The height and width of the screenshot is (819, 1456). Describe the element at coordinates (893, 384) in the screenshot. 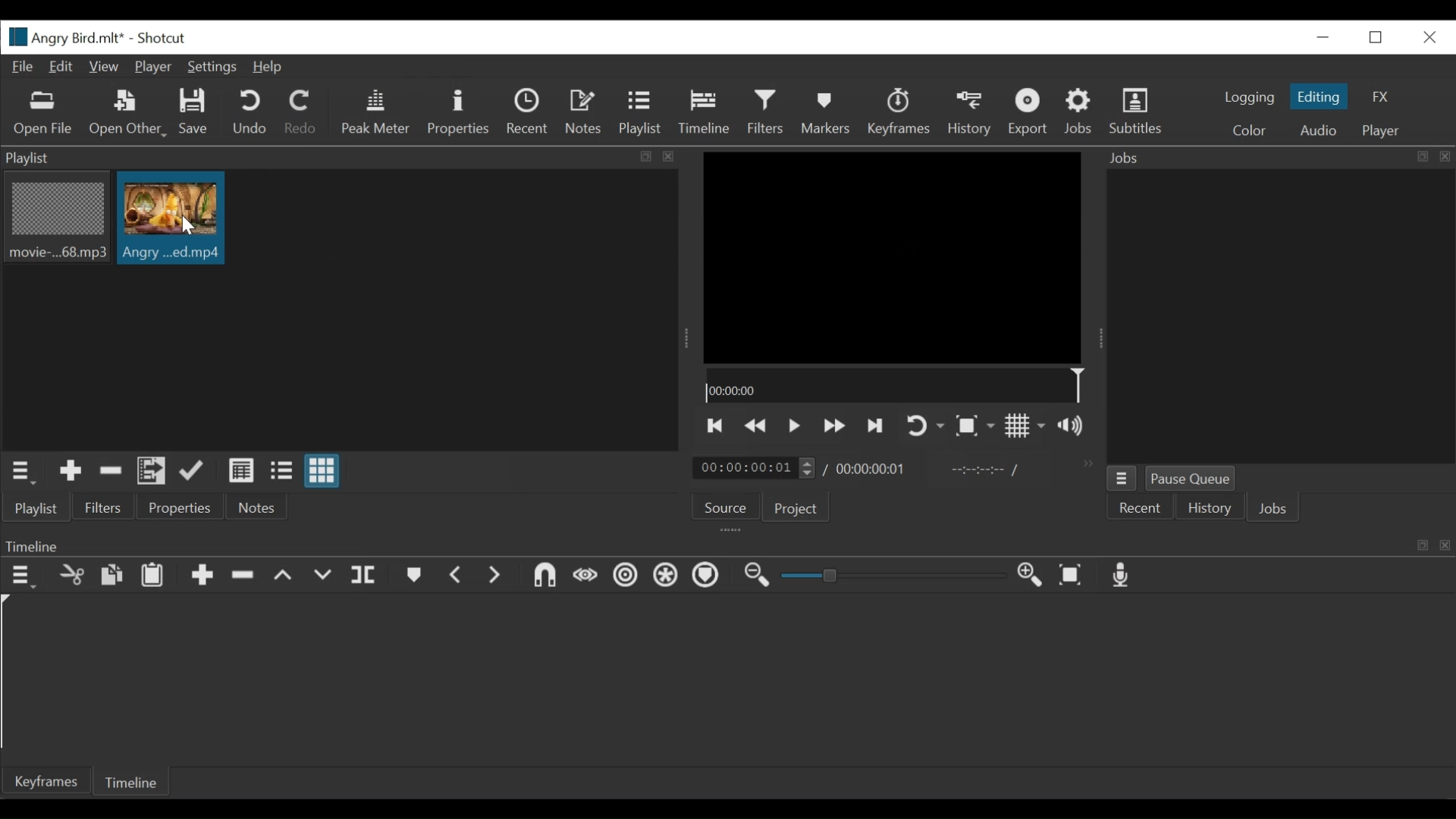

I see `Timeline` at that location.